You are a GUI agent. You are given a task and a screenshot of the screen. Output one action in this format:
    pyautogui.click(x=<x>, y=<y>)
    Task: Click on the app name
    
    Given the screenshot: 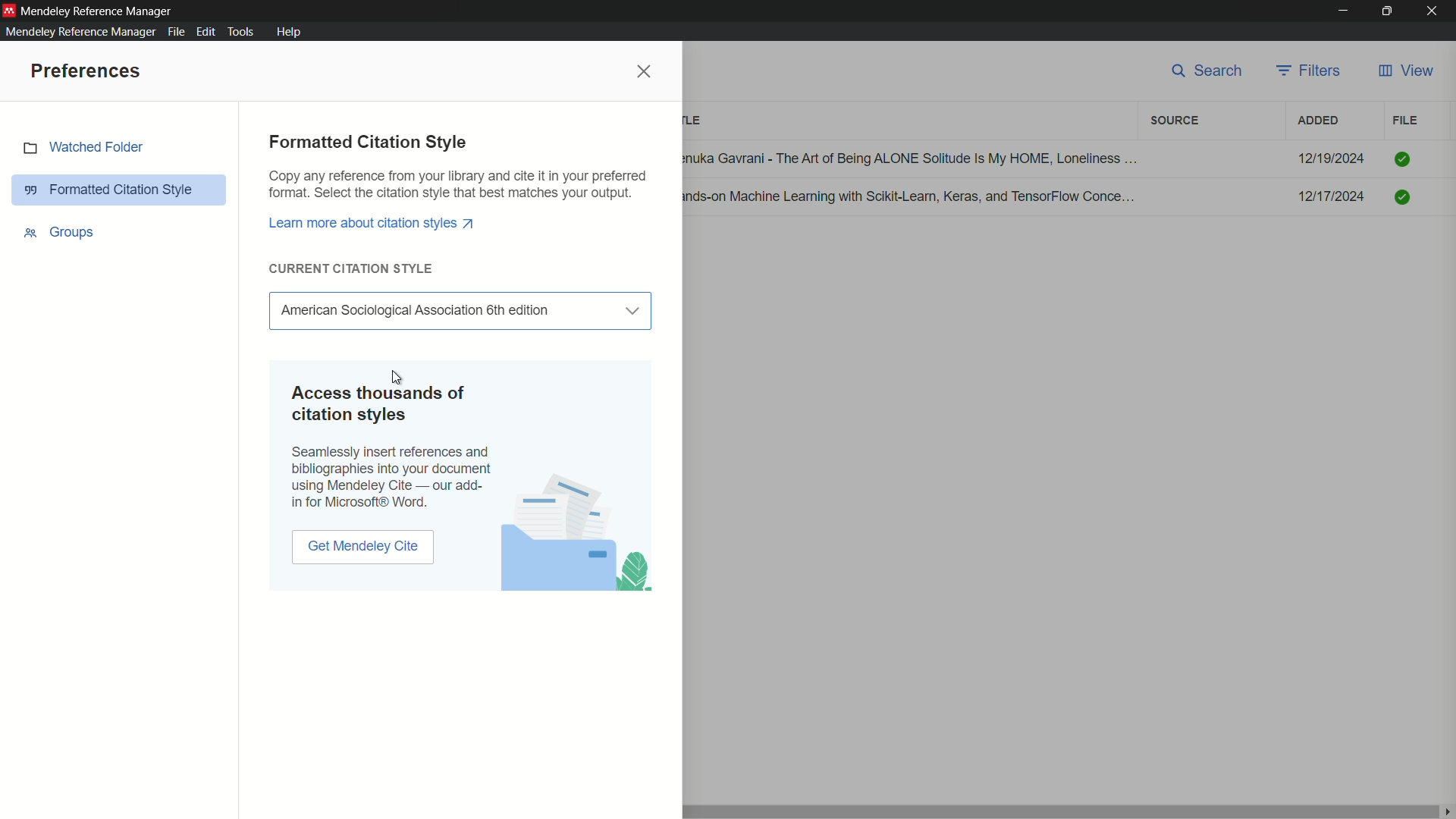 What is the action you would take?
    pyautogui.click(x=99, y=11)
    